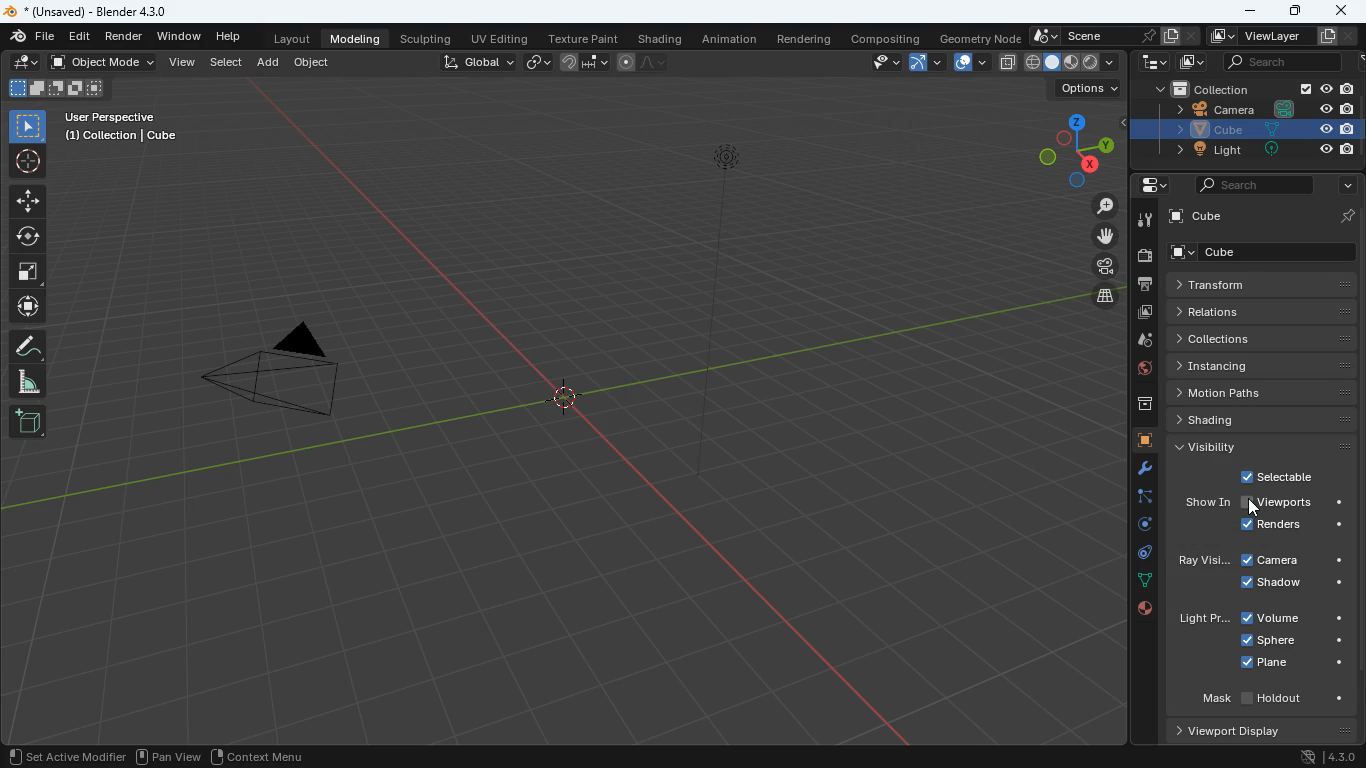 Image resolution: width=1366 pixels, height=768 pixels. I want to click on layout, so click(285, 38).